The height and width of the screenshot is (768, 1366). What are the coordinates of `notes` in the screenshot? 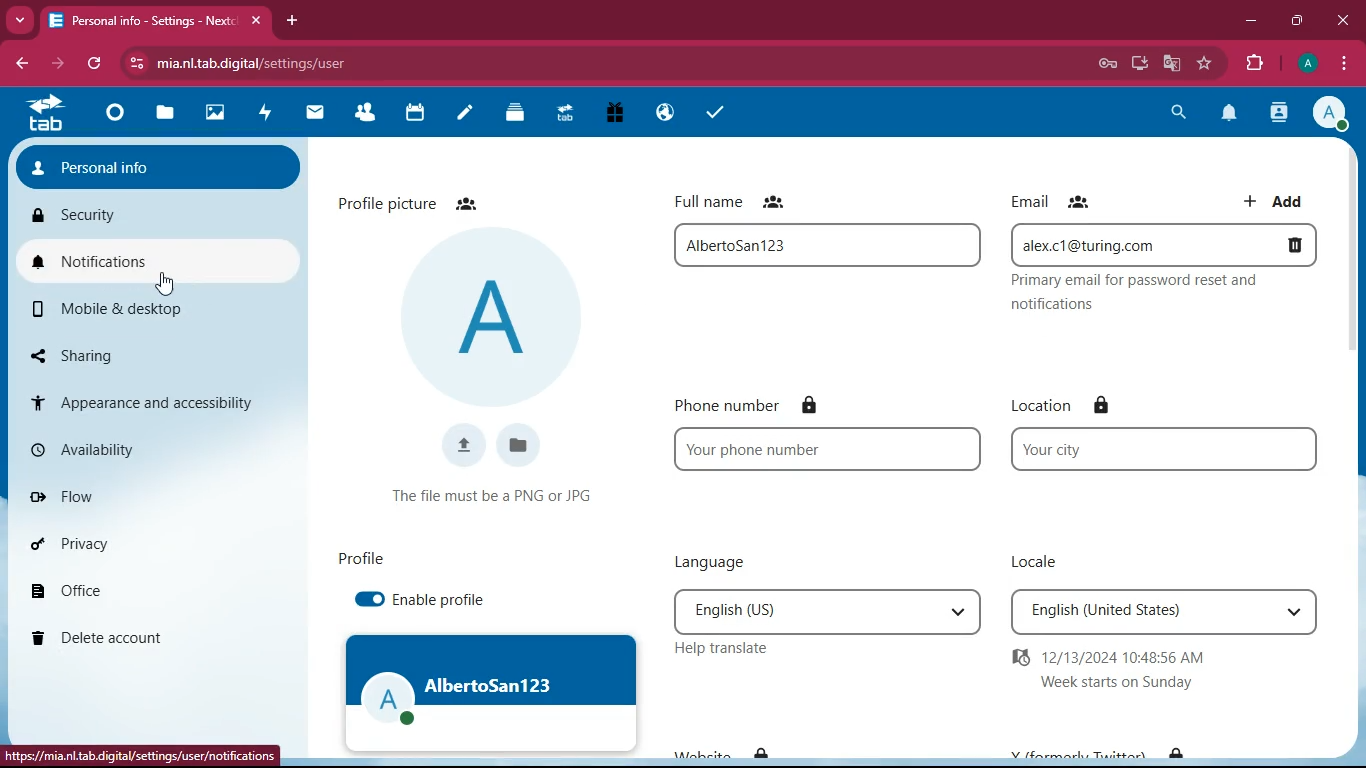 It's located at (467, 115).